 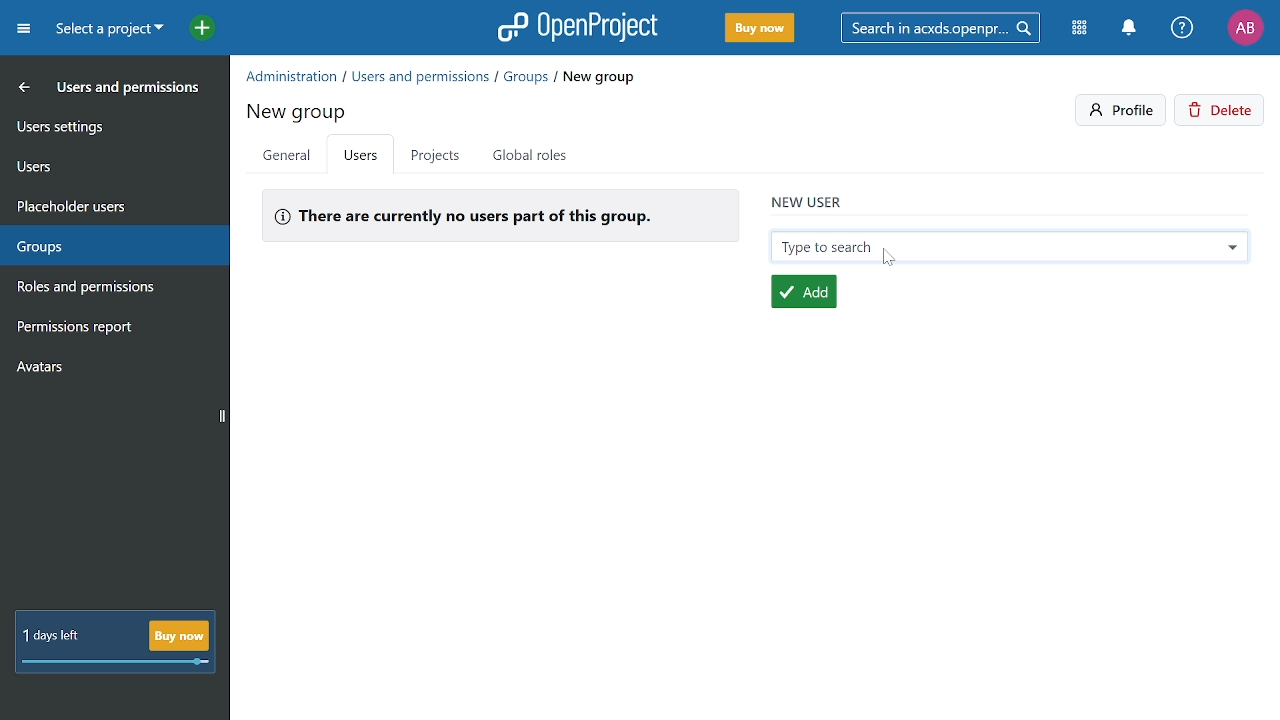 What do you see at coordinates (883, 260) in the screenshot?
I see `cursor` at bounding box center [883, 260].